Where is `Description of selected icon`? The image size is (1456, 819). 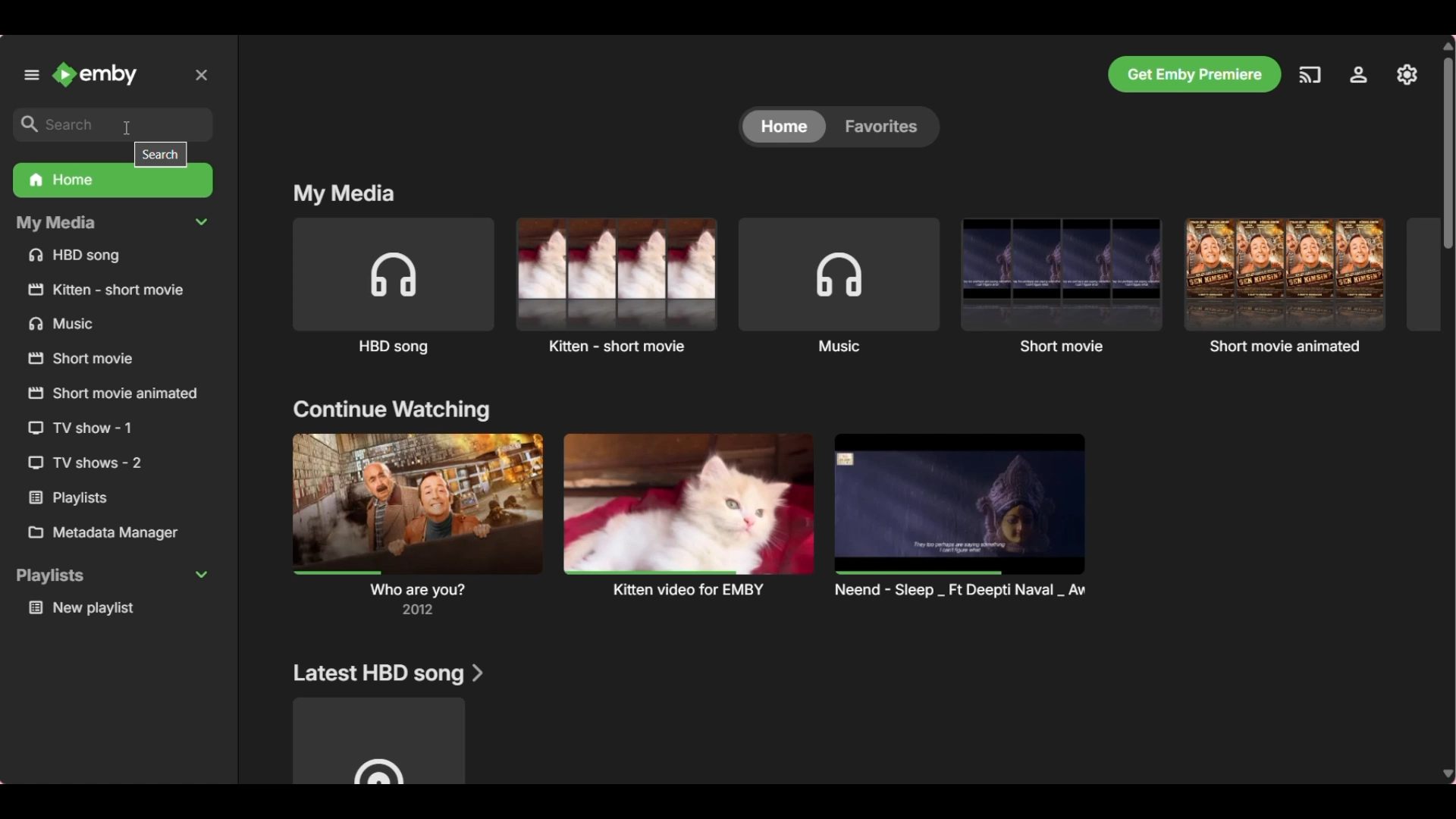 Description of selected icon is located at coordinates (161, 155).